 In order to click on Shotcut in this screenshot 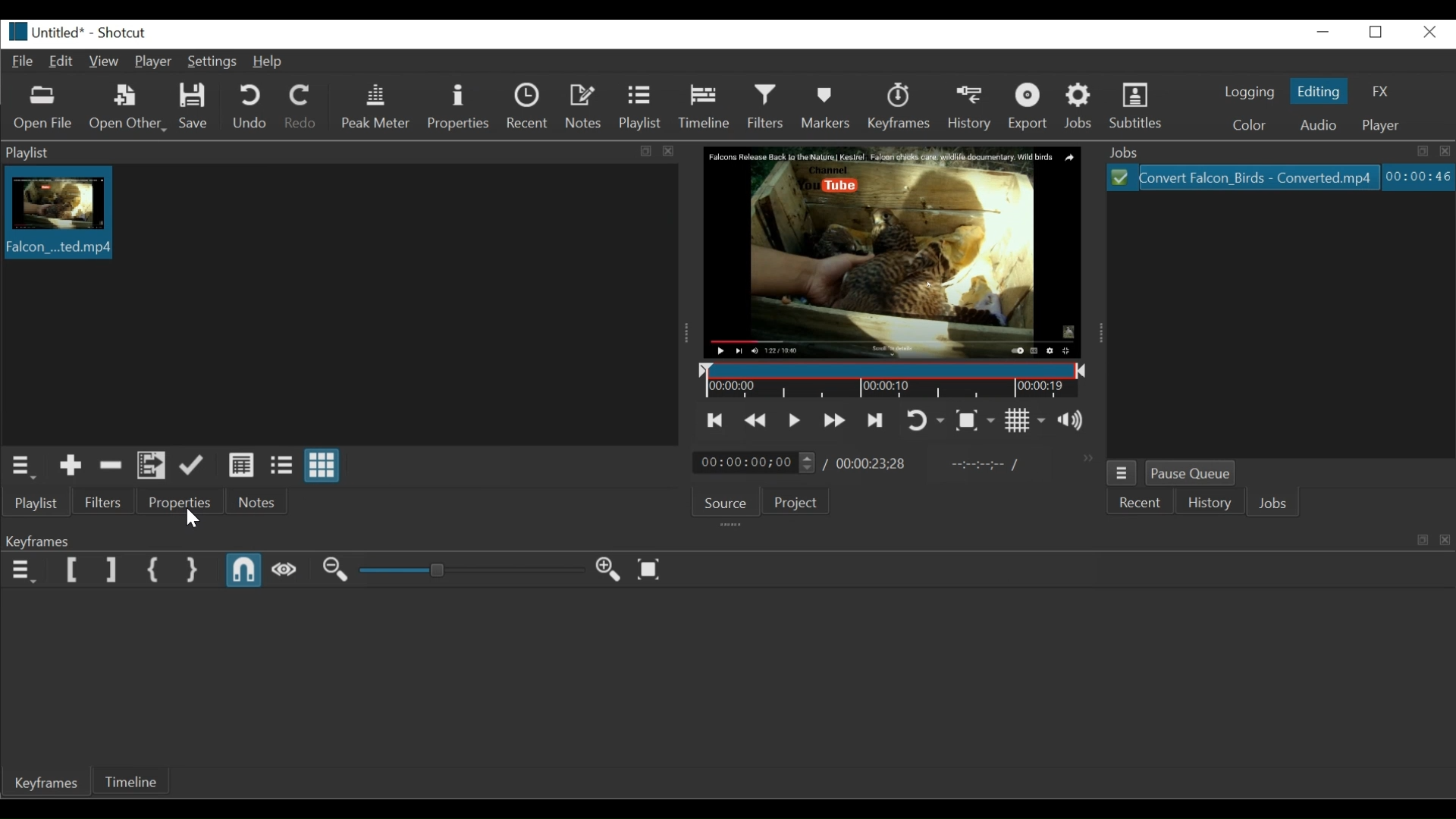, I will do `click(121, 34)`.